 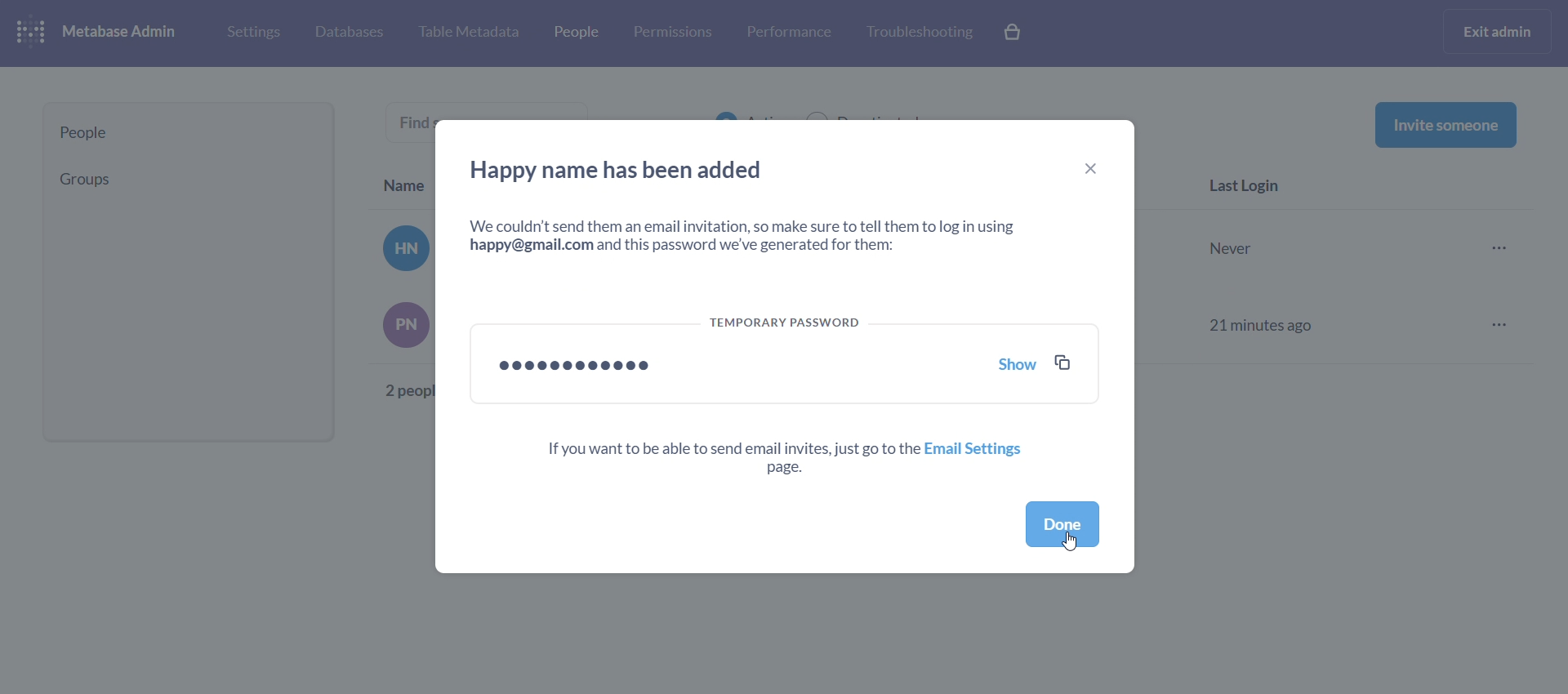 What do you see at coordinates (786, 460) in the screenshot?
I see `email settings` at bounding box center [786, 460].